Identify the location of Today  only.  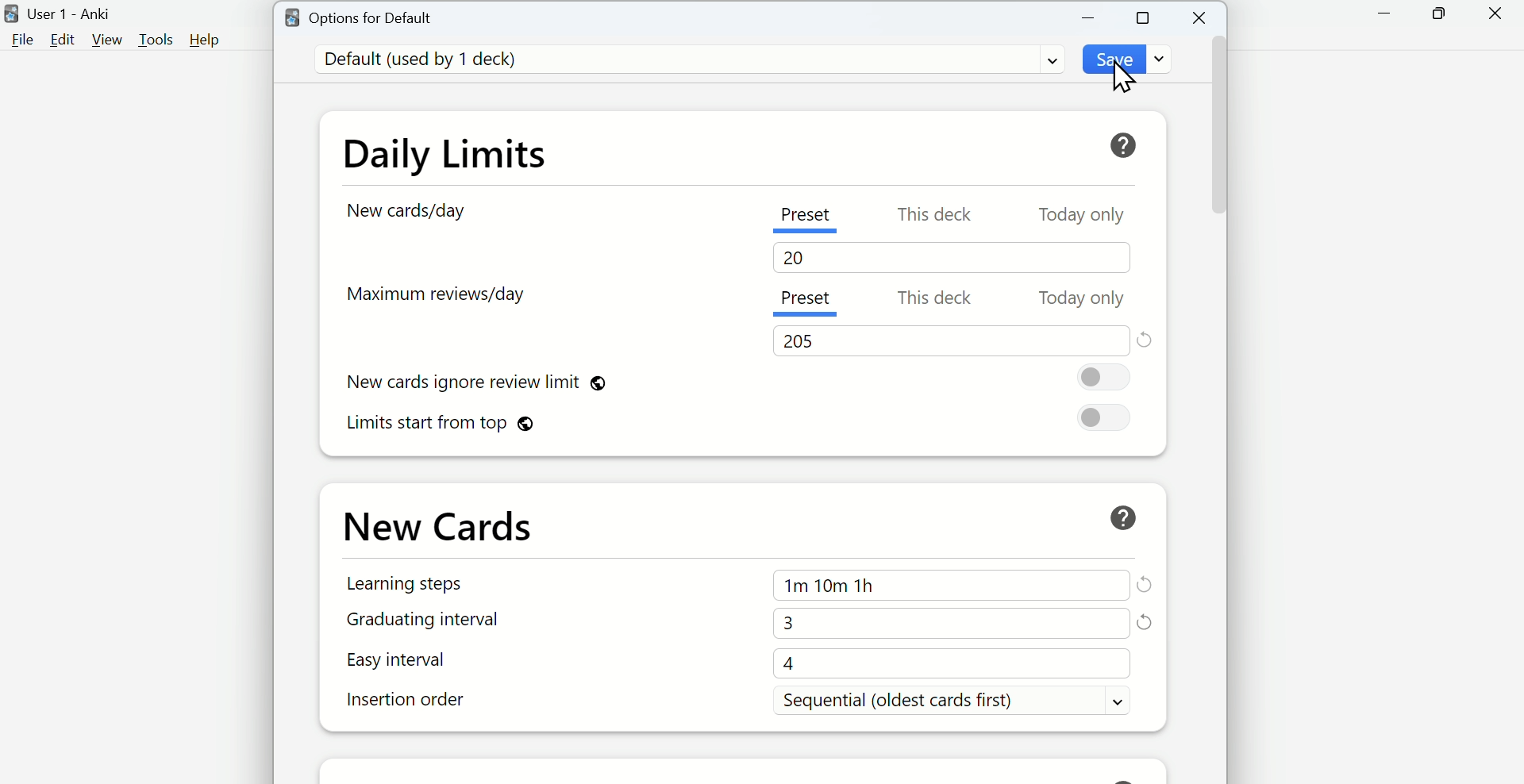
(1081, 216).